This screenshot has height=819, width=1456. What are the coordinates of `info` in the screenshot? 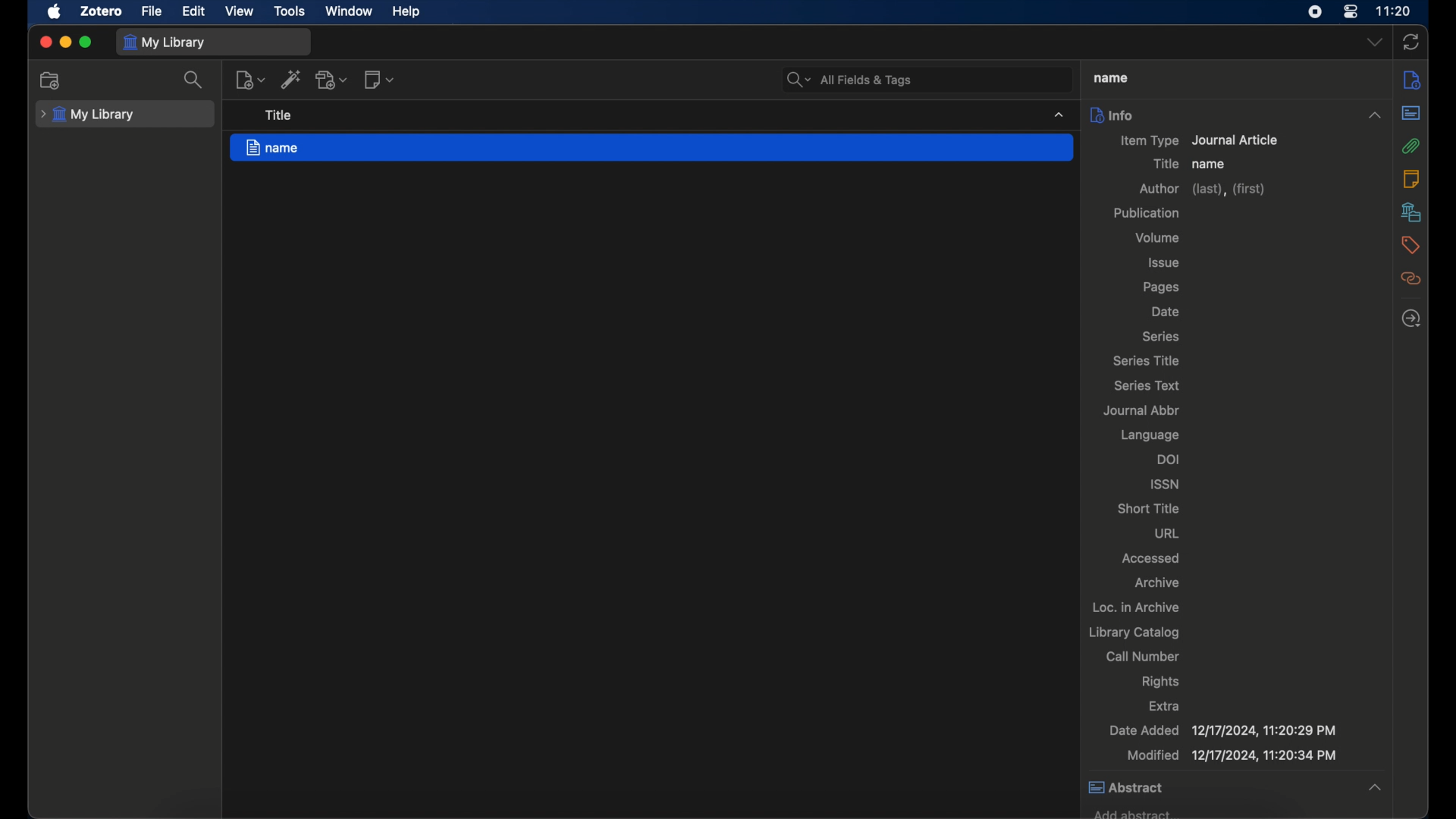 It's located at (1409, 79).